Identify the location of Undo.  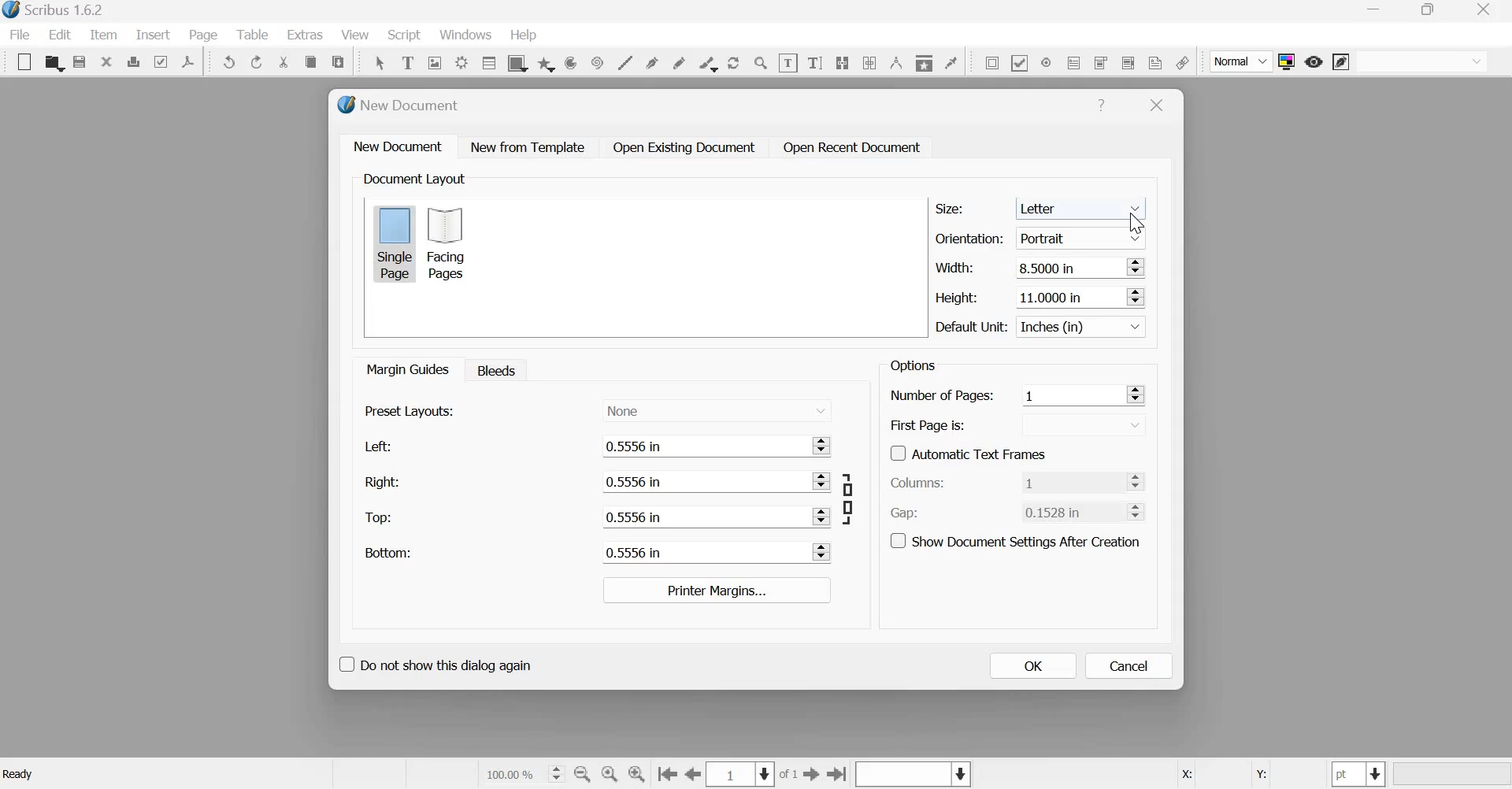
(230, 62).